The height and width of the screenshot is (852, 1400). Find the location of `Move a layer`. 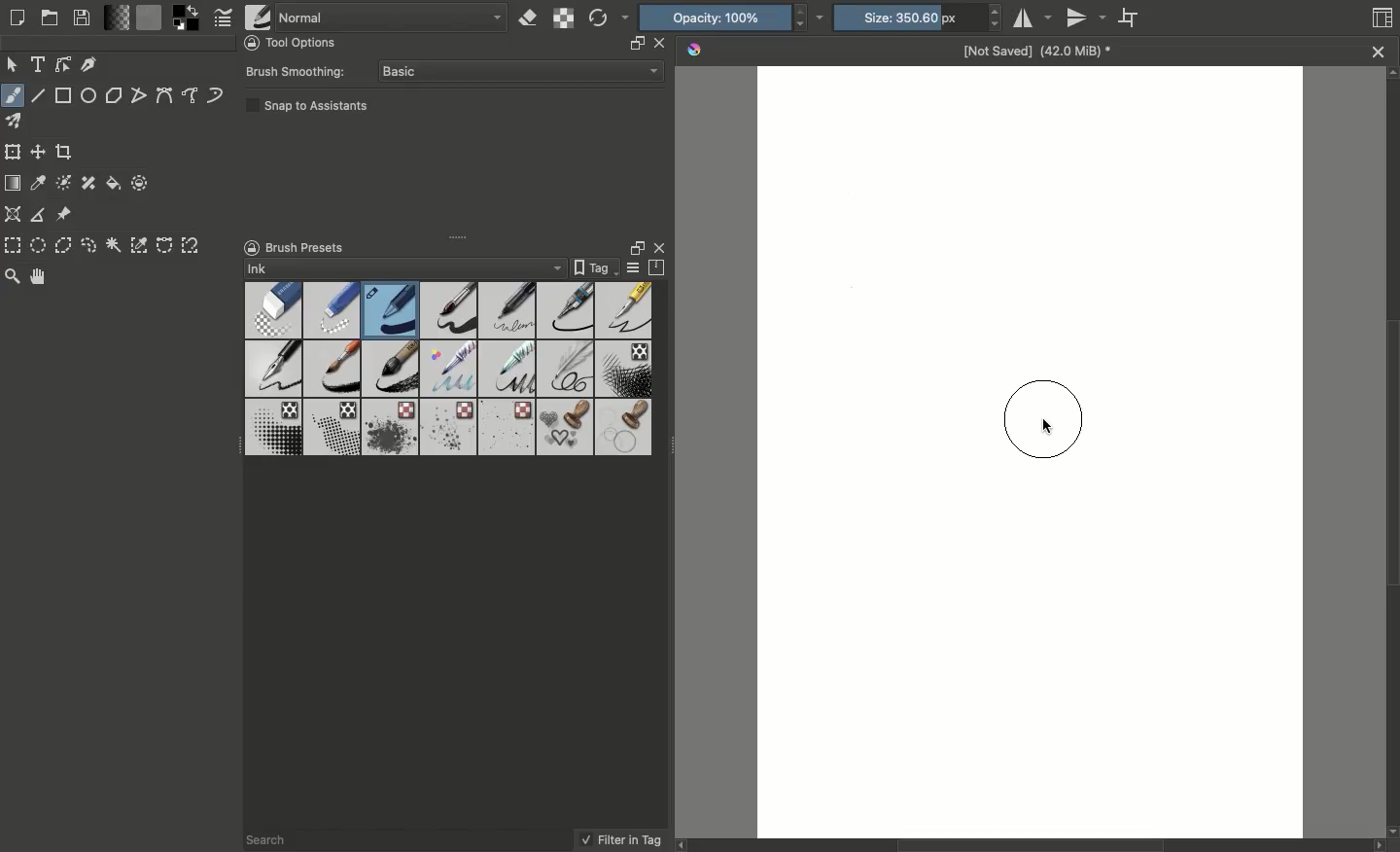

Move a layer is located at coordinates (39, 154).